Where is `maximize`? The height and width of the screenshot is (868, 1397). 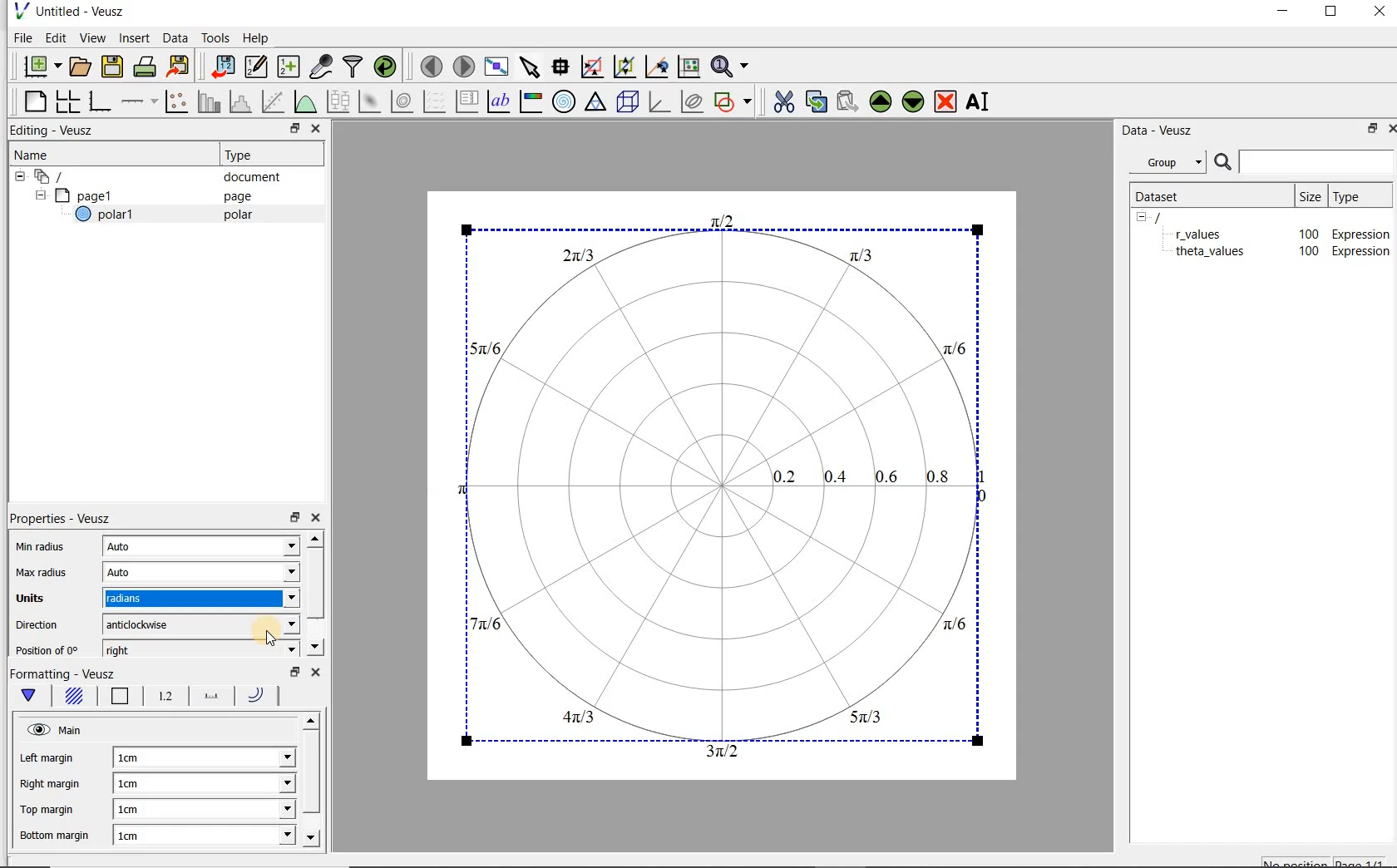 maximize is located at coordinates (1331, 14).